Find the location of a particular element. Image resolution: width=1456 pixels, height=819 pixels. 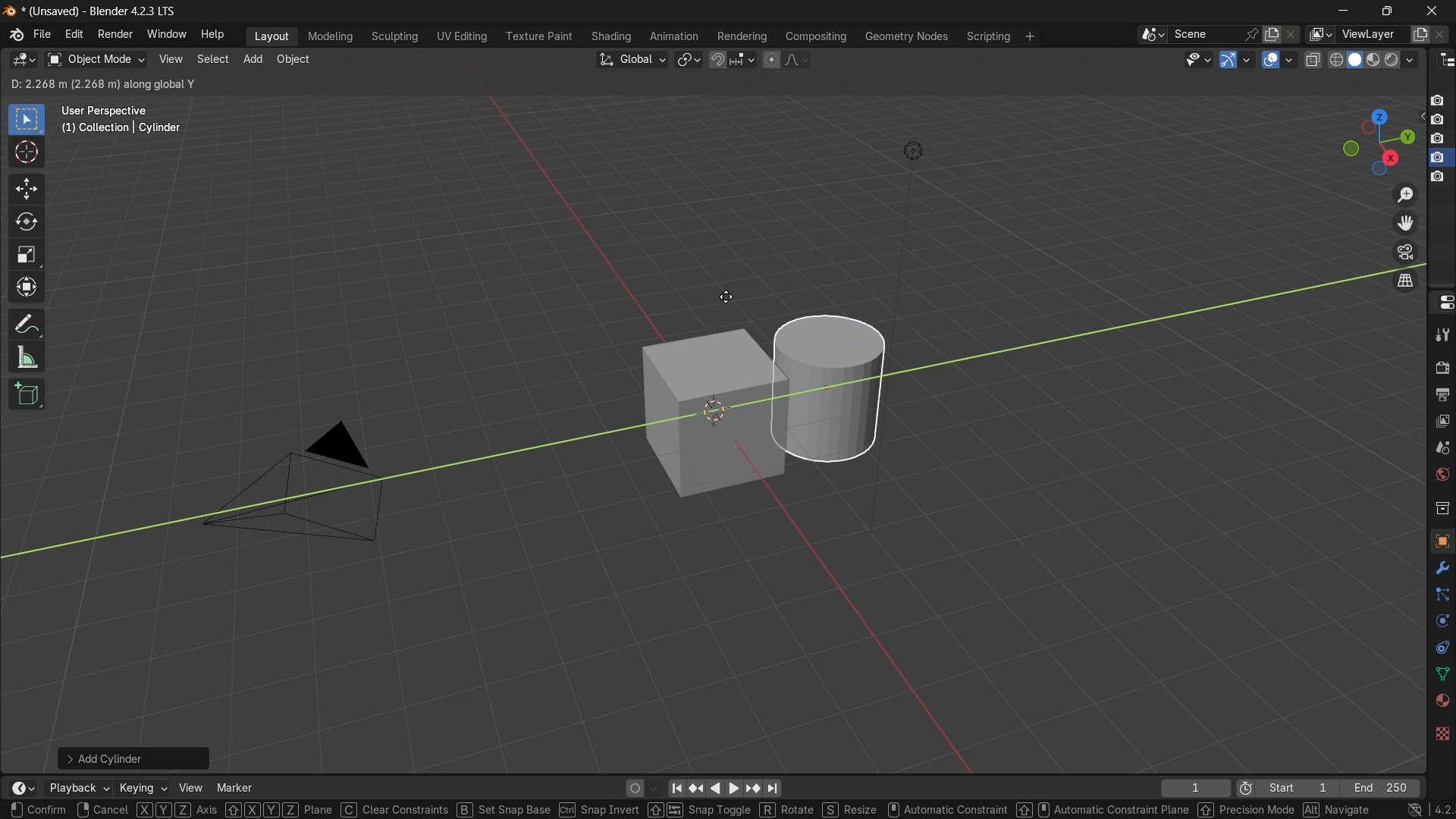

keying is located at coordinates (142, 788).